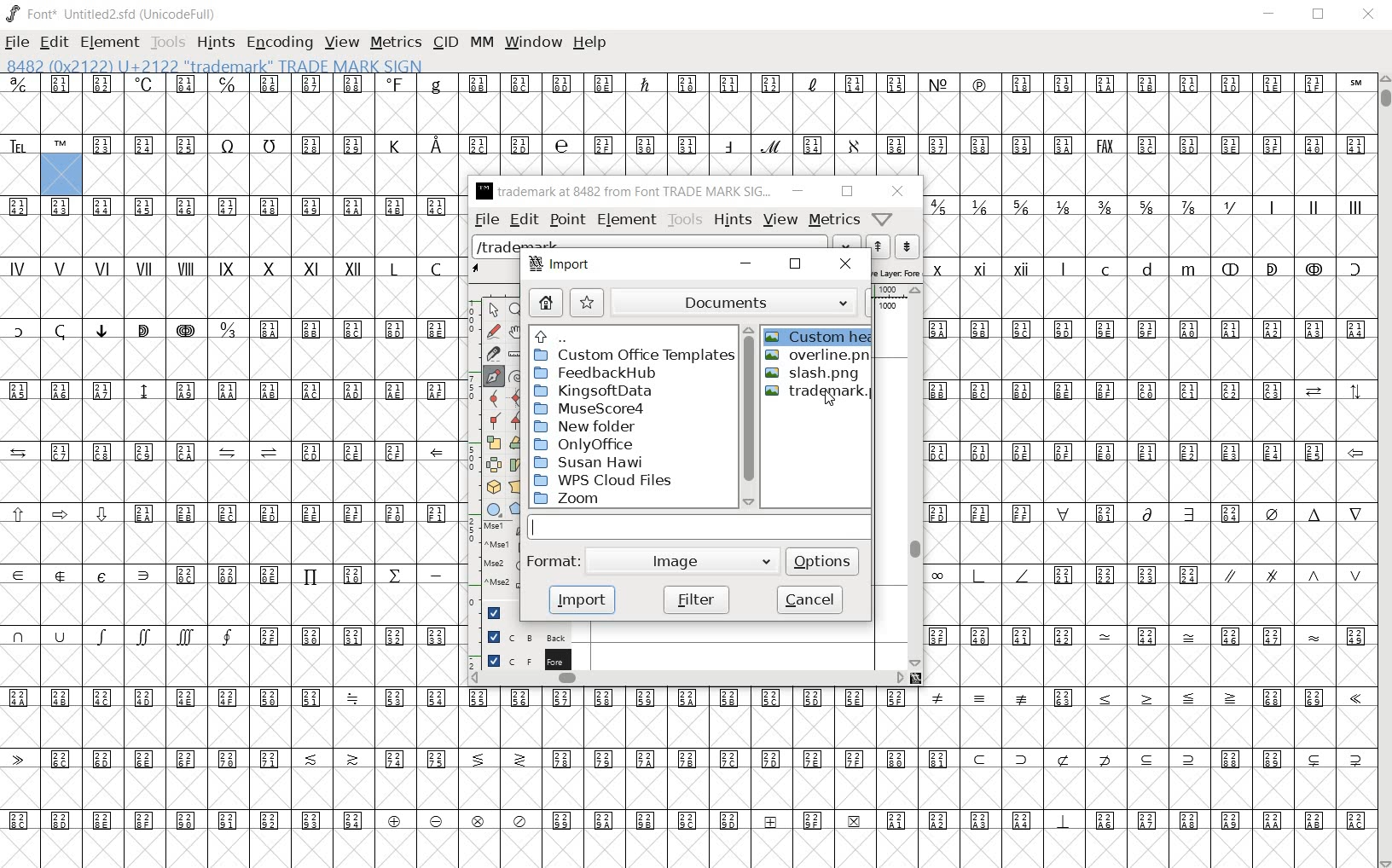 The height and width of the screenshot is (868, 1392). What do you see at coordinates (515, 311) in the screenshot?
I see `magnify` at bounding box center [515, 311].